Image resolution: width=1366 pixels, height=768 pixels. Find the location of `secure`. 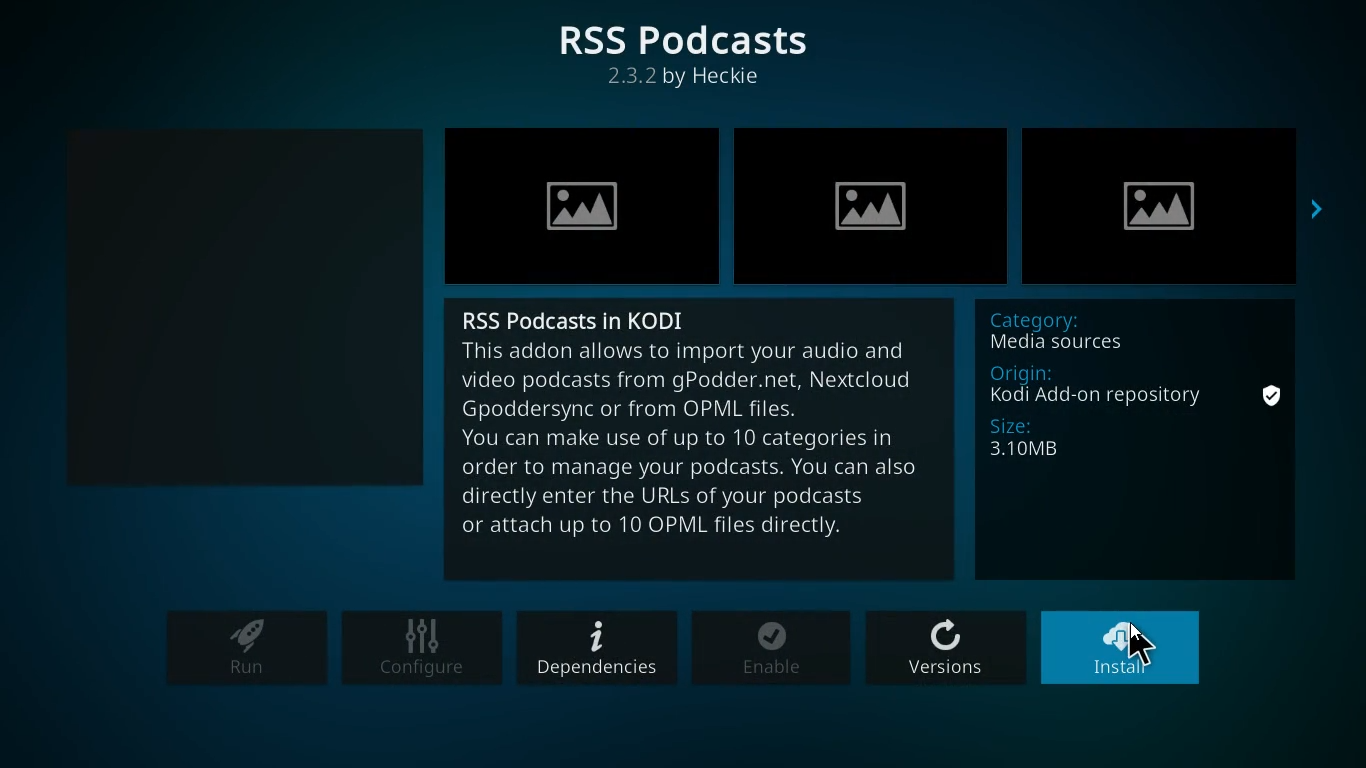

secure is located at coordinates (1270, 397).